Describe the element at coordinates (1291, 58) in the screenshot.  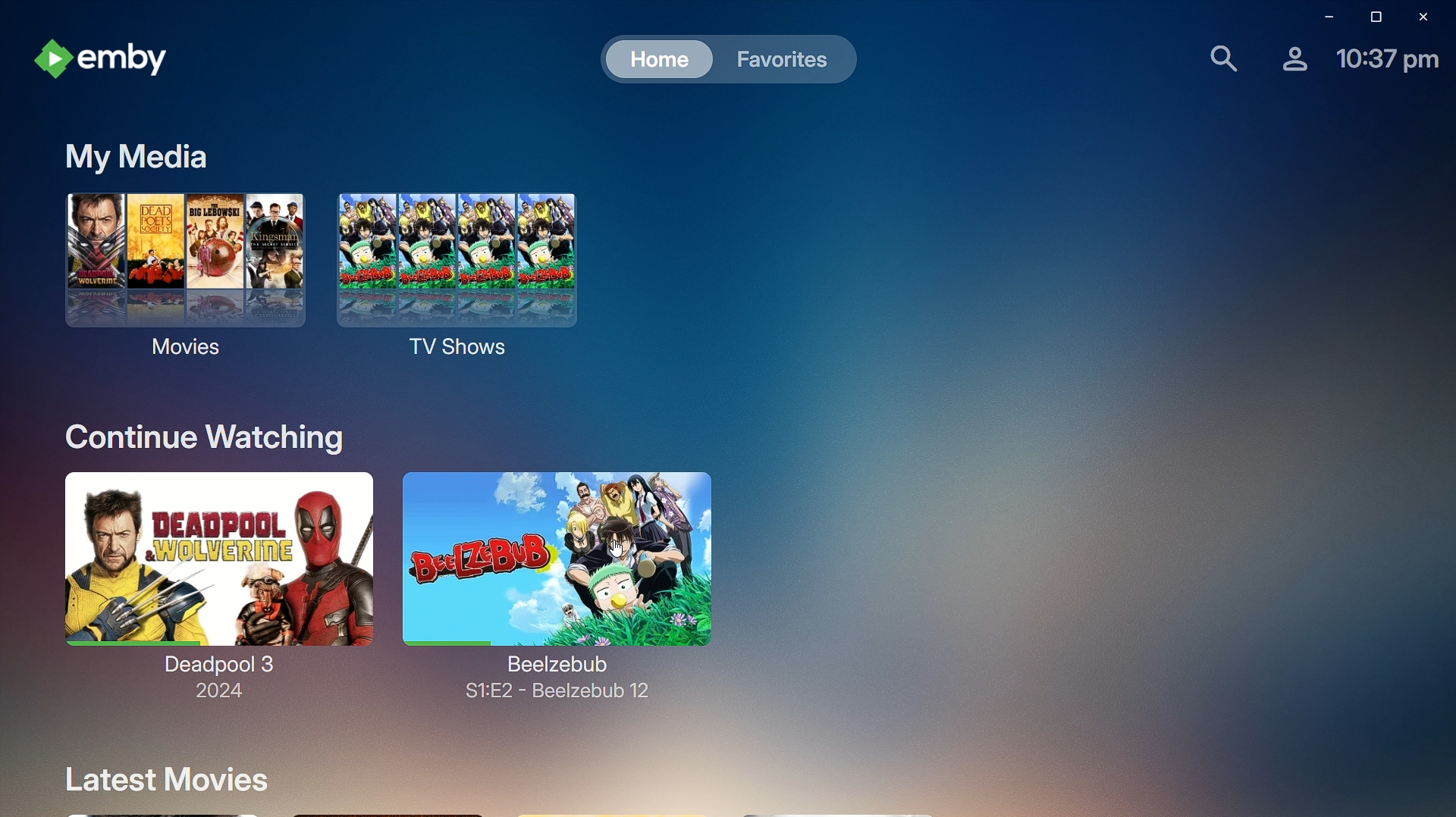
I see `Account` at that location.